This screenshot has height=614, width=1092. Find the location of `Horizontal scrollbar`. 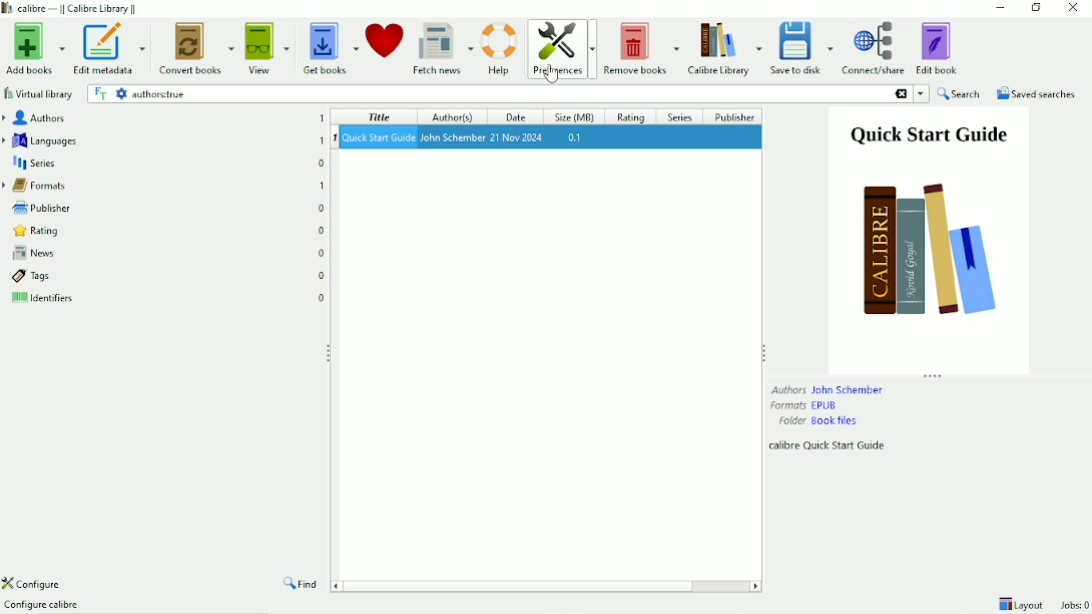

Horizontal scrollbar is located at coordinates (523, 587).